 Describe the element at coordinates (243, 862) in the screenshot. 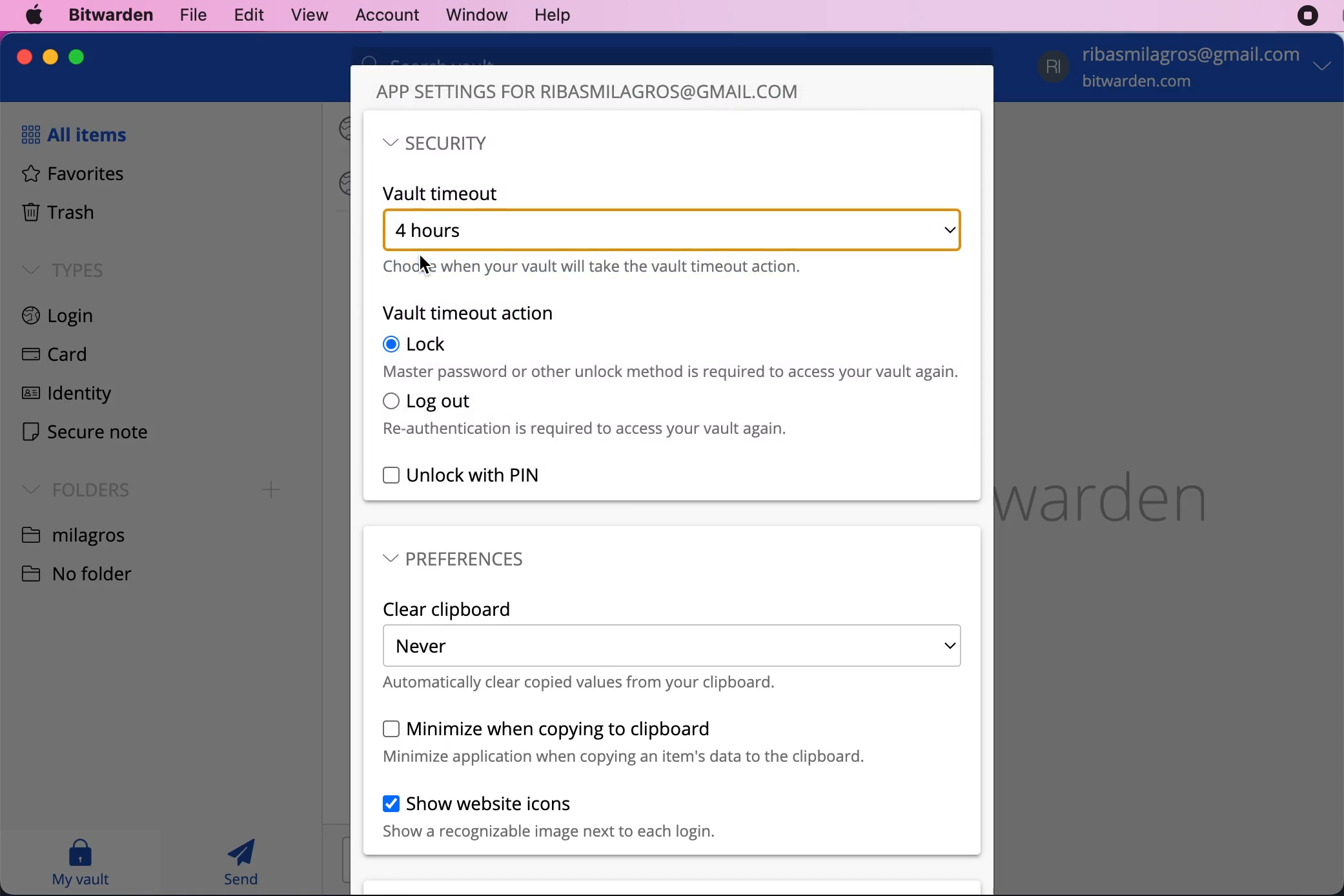

I see `send` at that location.